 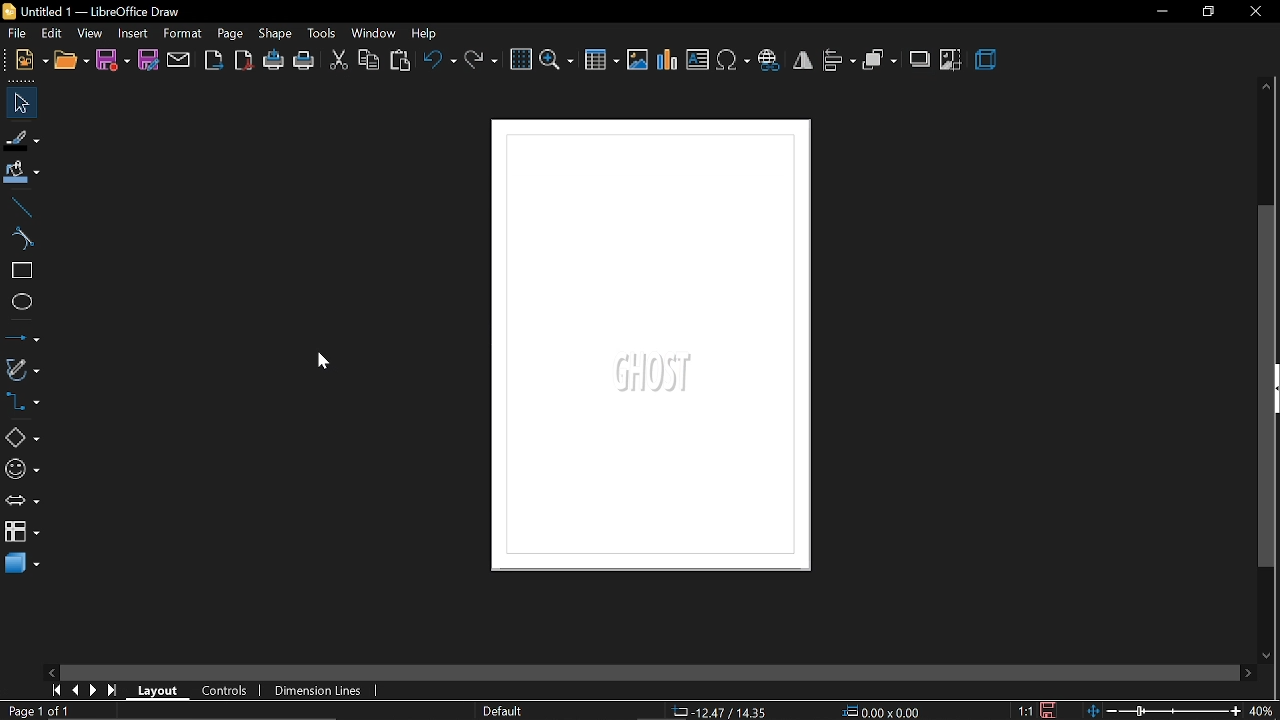 I want to click on paste, so click(x=402, y=60).